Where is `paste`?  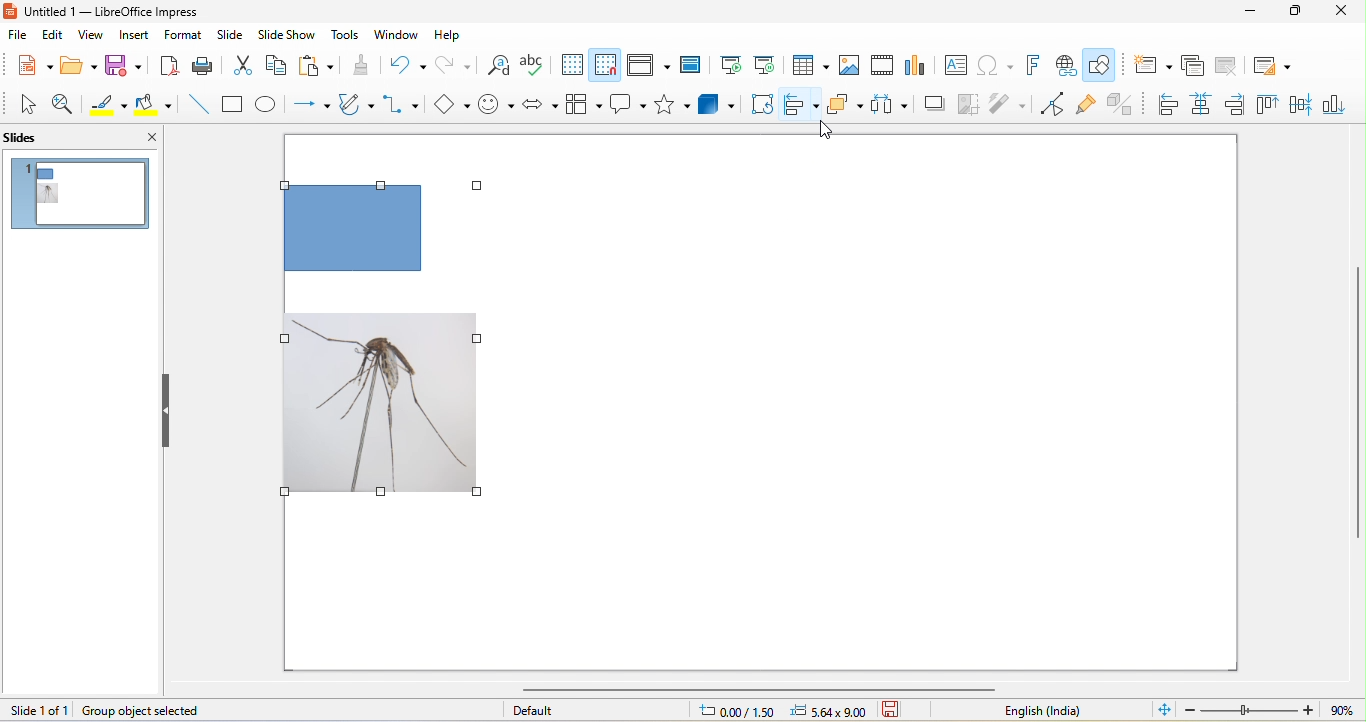 paste is located at coordinates (316, 66).